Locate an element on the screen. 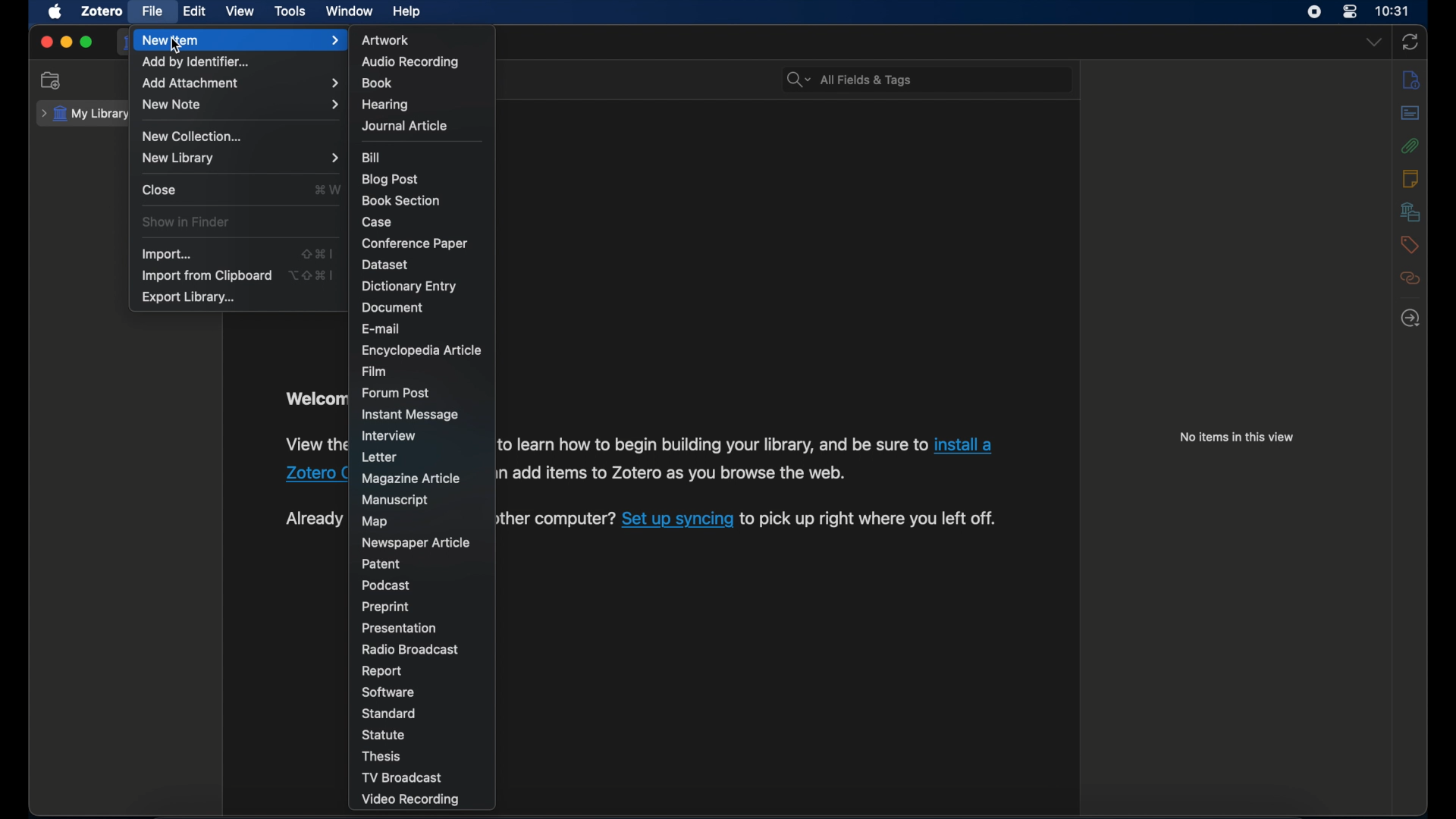 The width and height of the screenshot is (1456, 819). time is located at coordinates (1393, 10).